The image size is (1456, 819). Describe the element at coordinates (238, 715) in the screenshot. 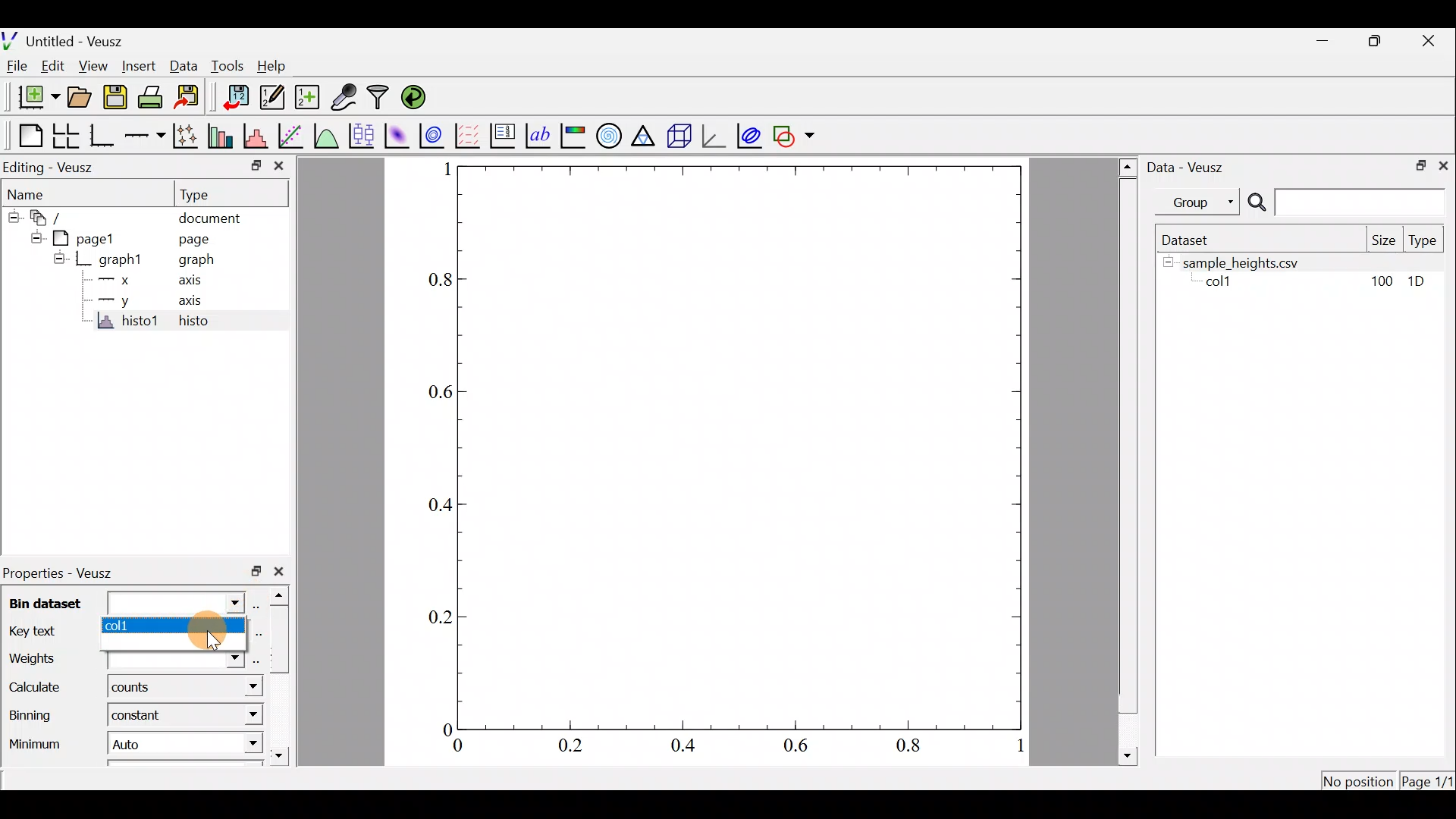

I see `Binning dropdown` at that location.